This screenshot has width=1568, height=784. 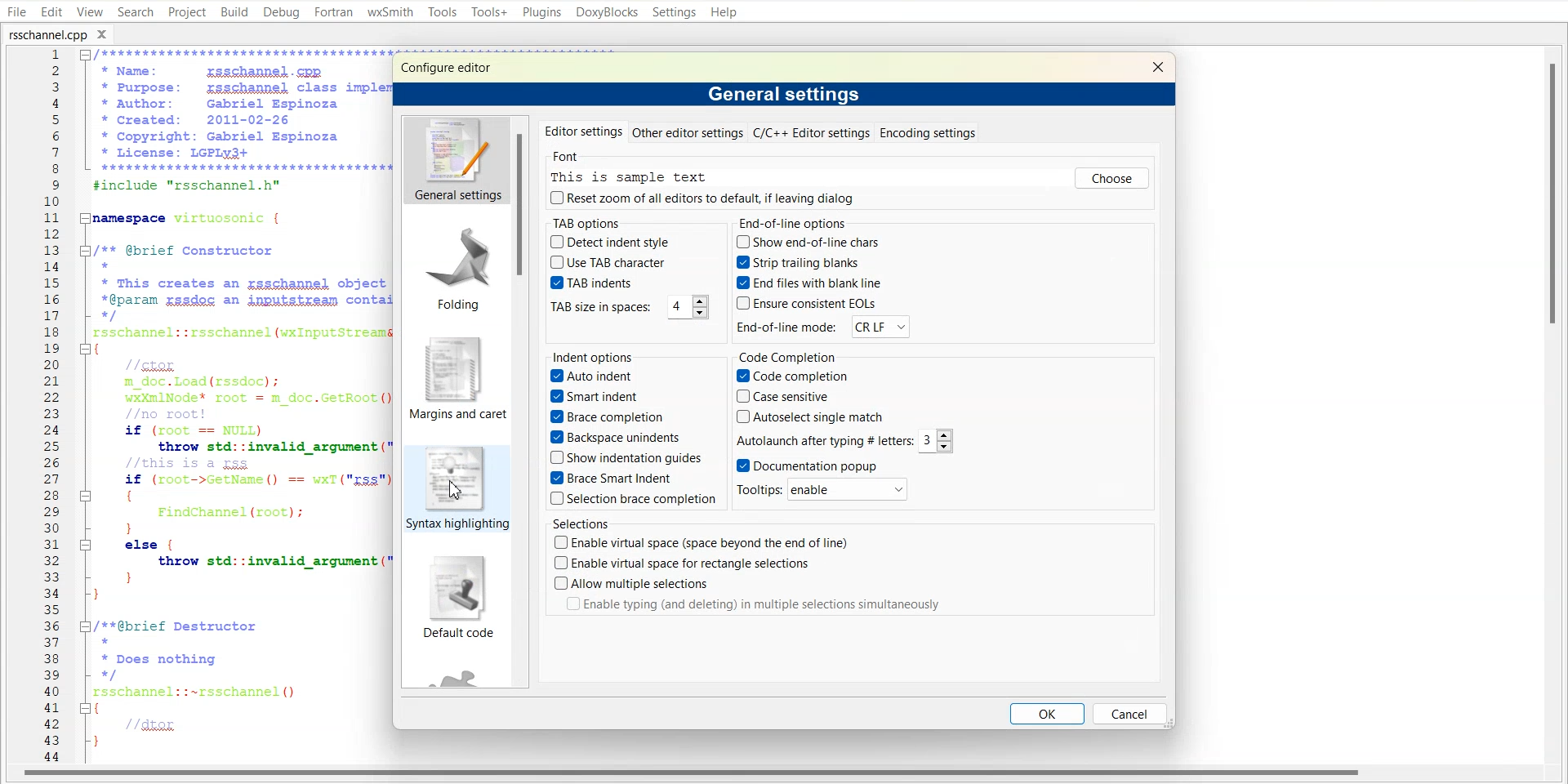 I want to click on Case sensitive, so click(x=785, y=396).